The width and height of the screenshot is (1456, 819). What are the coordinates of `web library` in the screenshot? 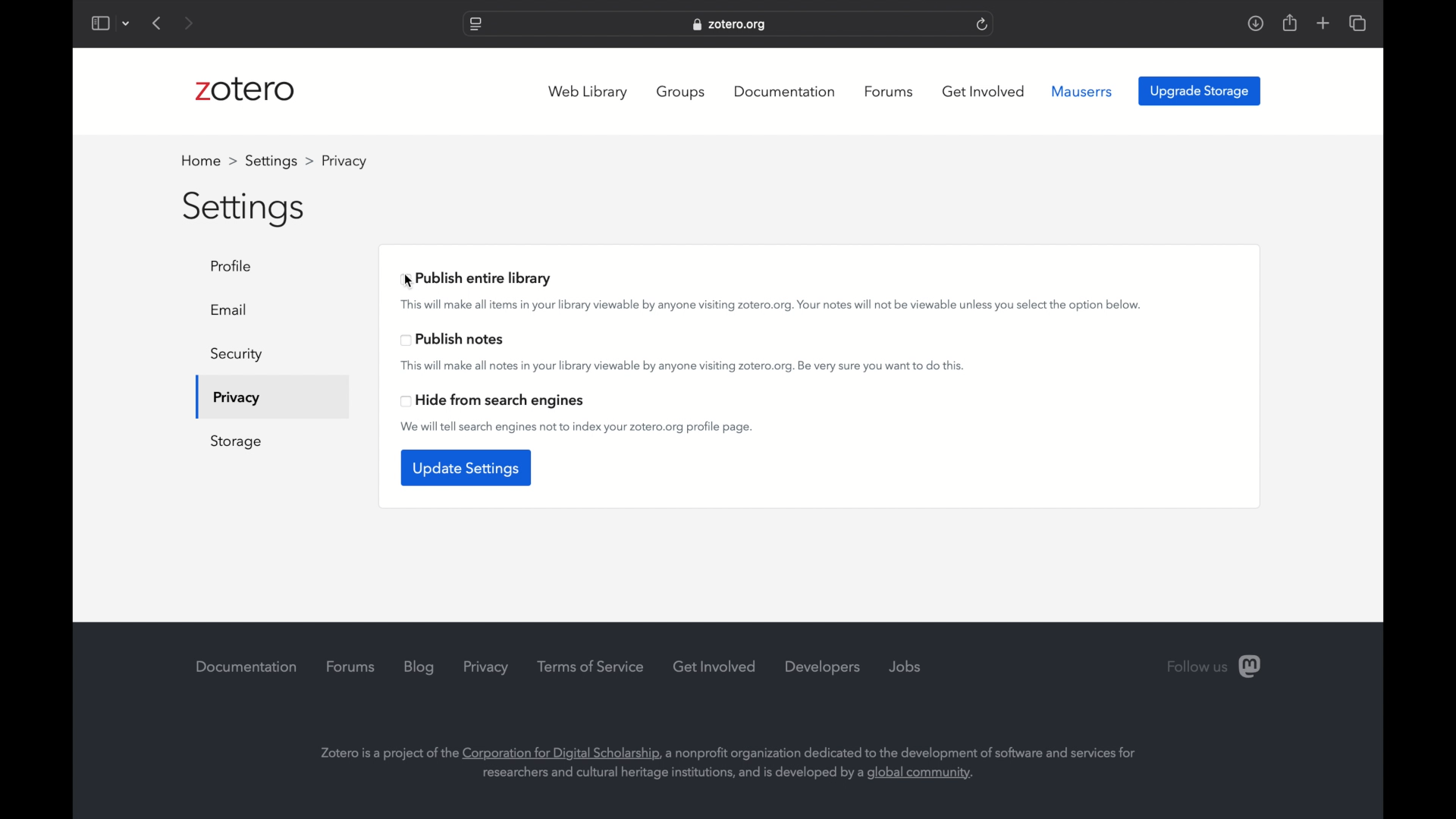 It's located at (588, 92).